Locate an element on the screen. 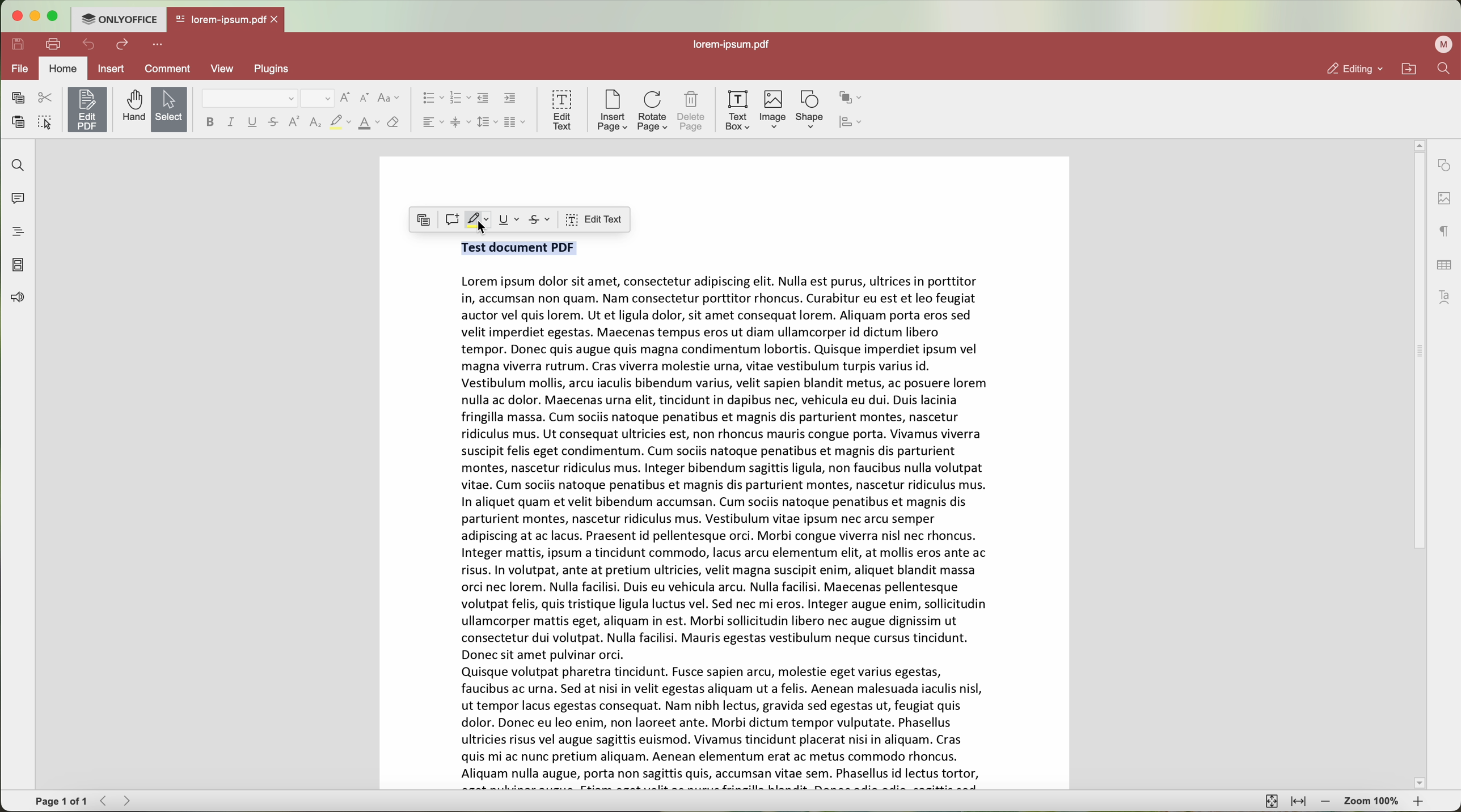 This screenshot has height=812, width=1461. print is located at coordinates (54, 44).